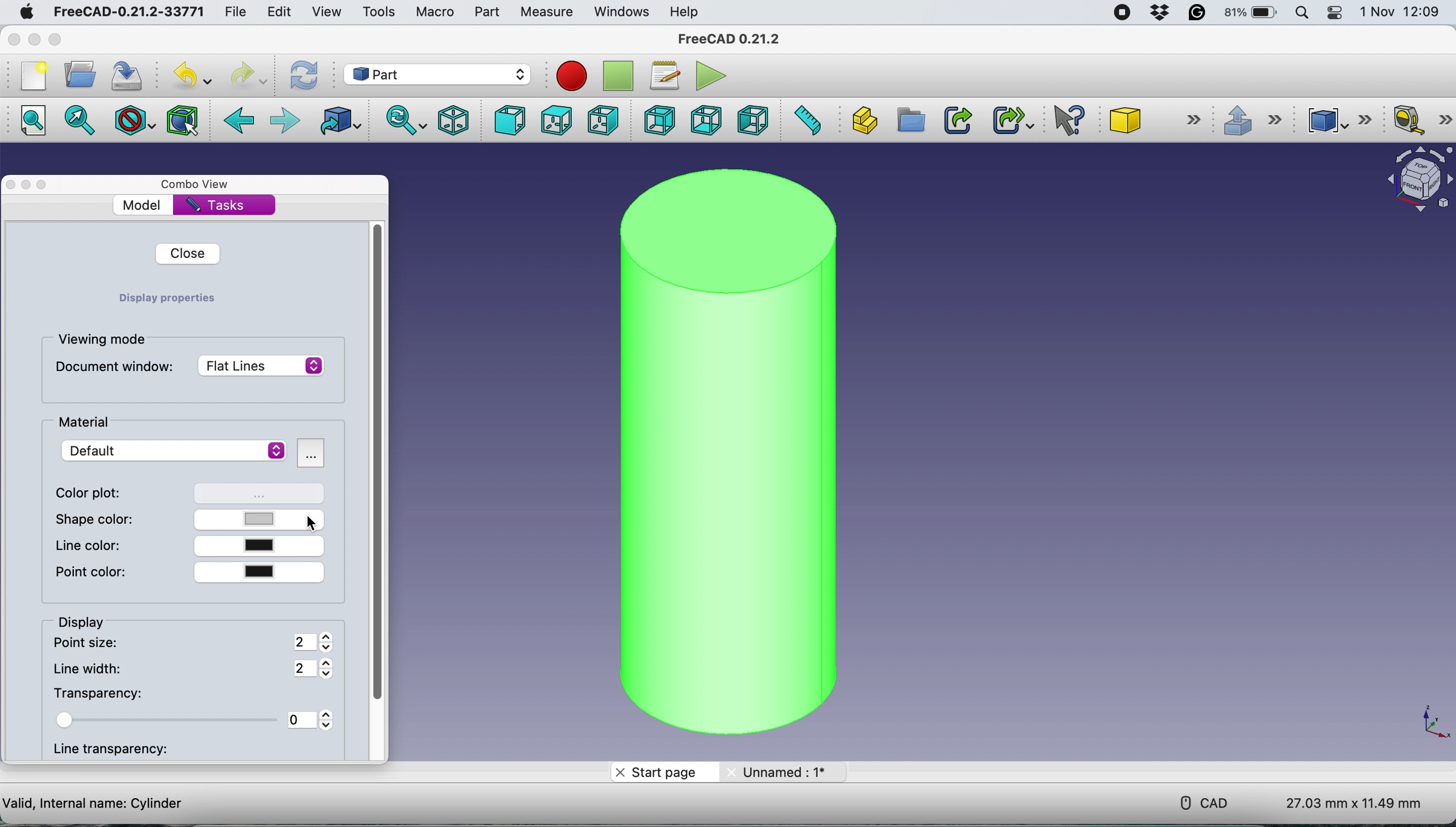 The height and width of the screenshot is (827, 1456). I want to click on Display properties, so click(167, 300).